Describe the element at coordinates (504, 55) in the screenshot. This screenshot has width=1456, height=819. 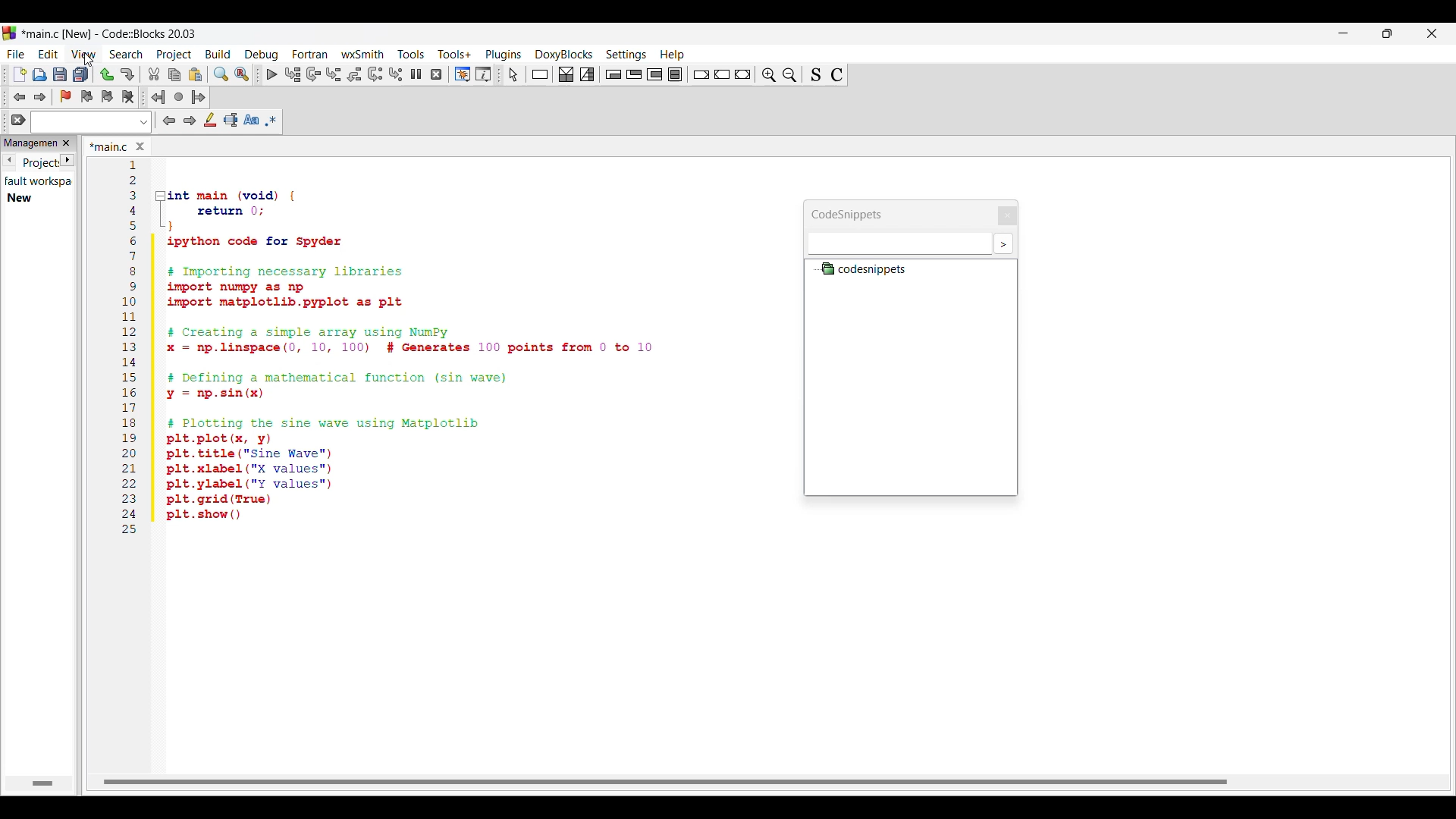
I see `Plugins menu` at that location.